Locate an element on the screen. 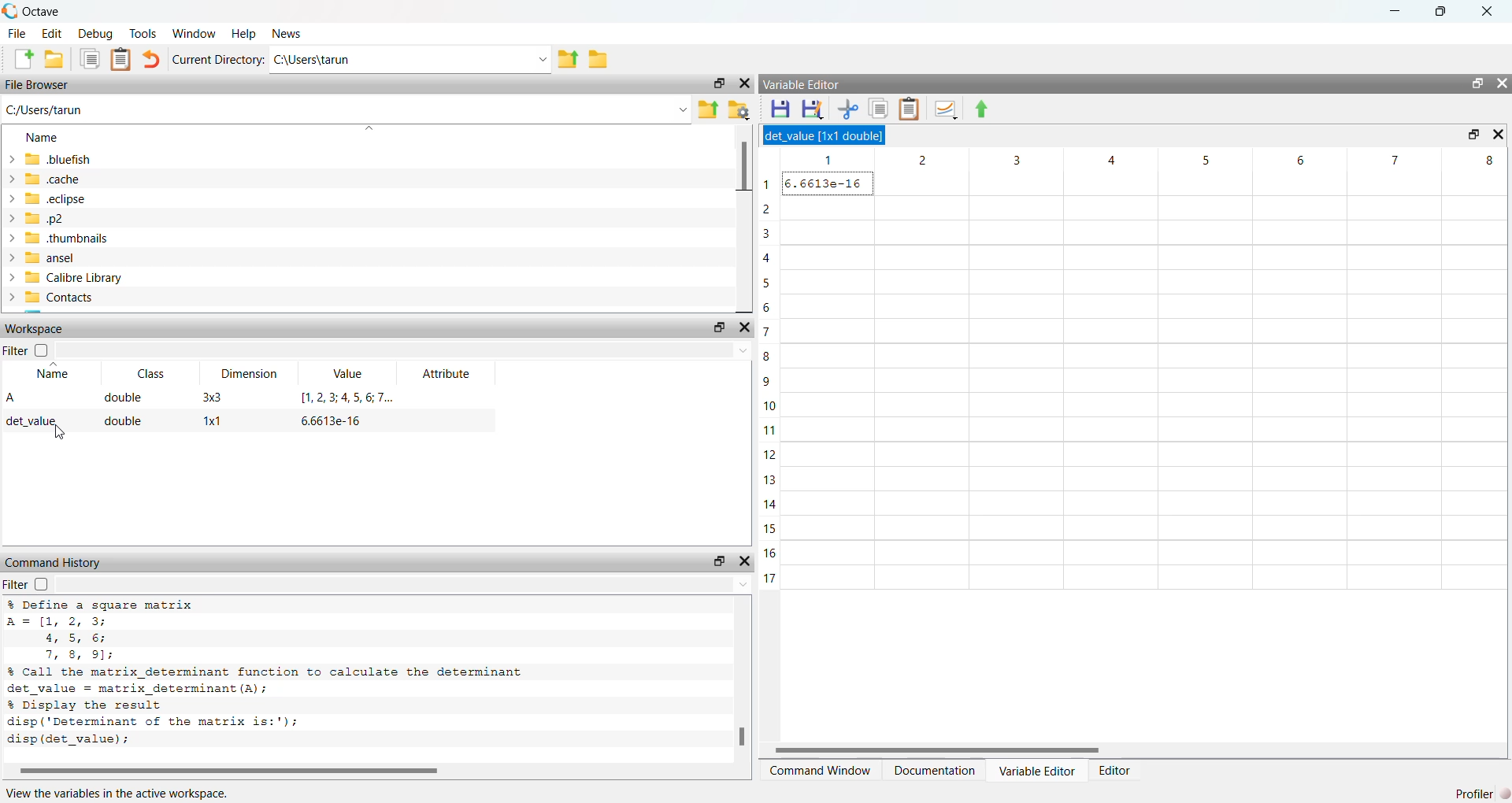 This screenshot has width=1512, height=803. maximize is located at coordinates (721, 83).